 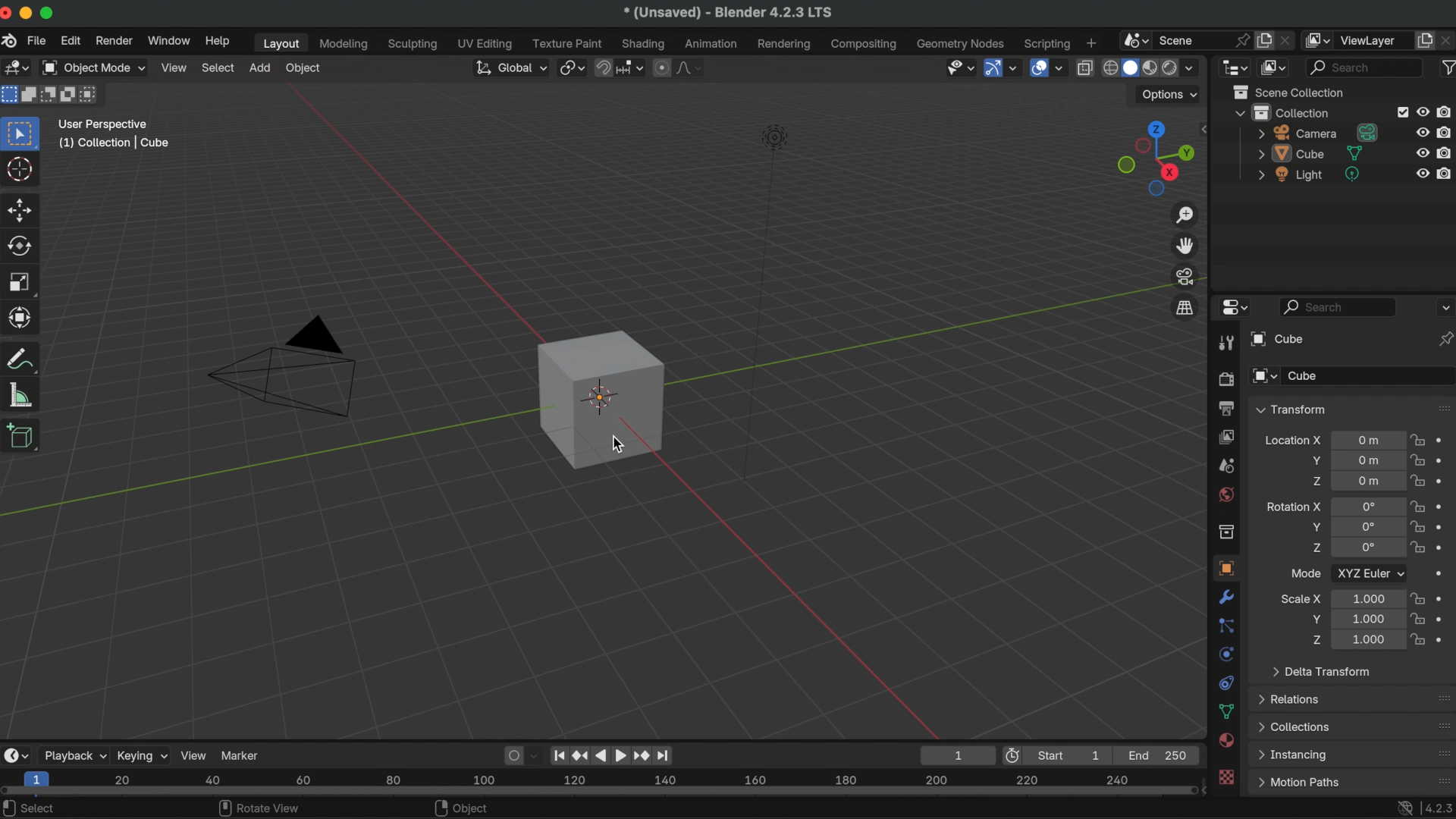 What do you see at coordinates (1186, 245) in the screenshot?
I see `move the view` at bounding box center [1186, 245].